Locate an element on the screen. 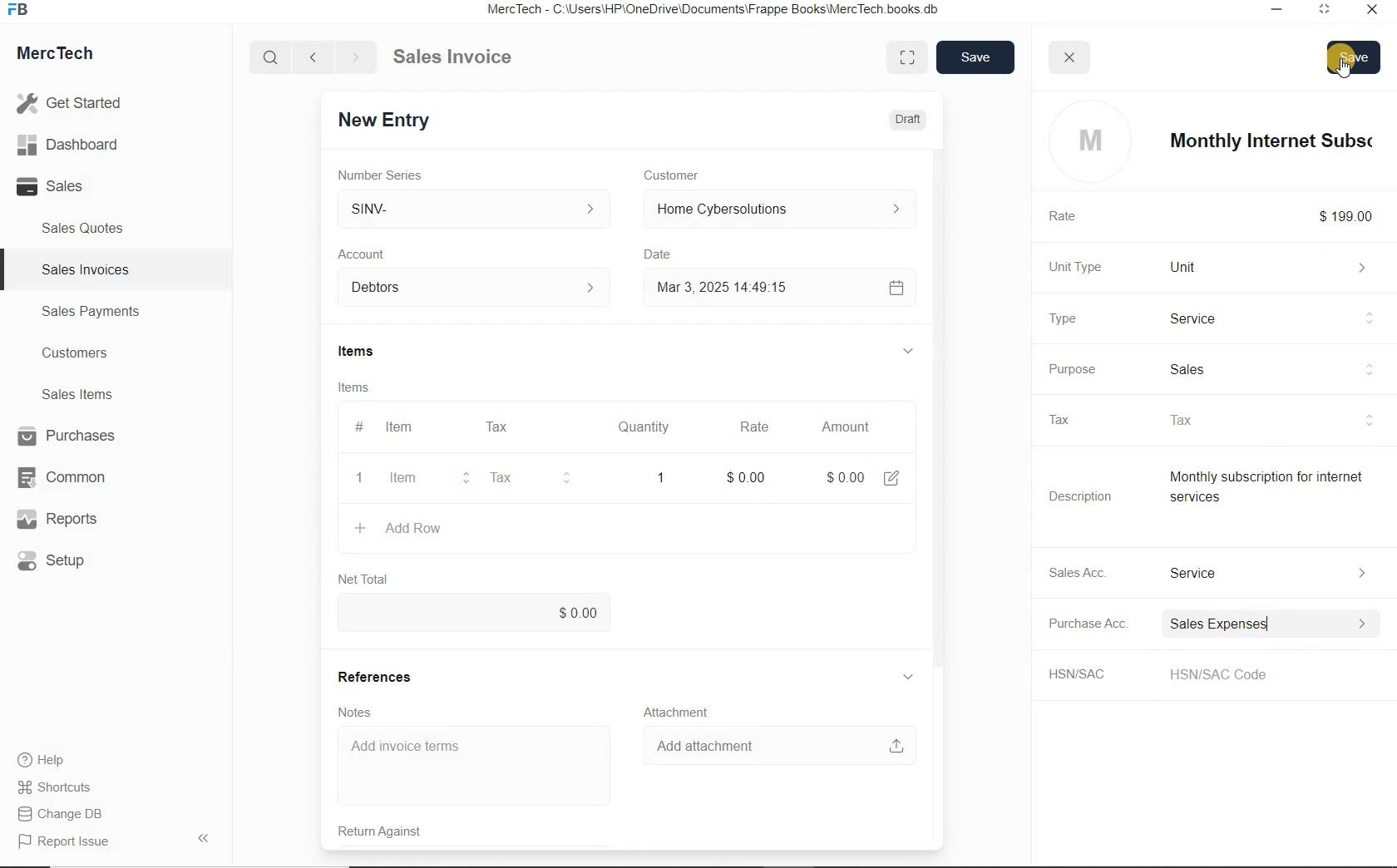 Image resolution: width=1397 pixels, height=868 pixels. Item Description is located at coordinates (1261, 492).